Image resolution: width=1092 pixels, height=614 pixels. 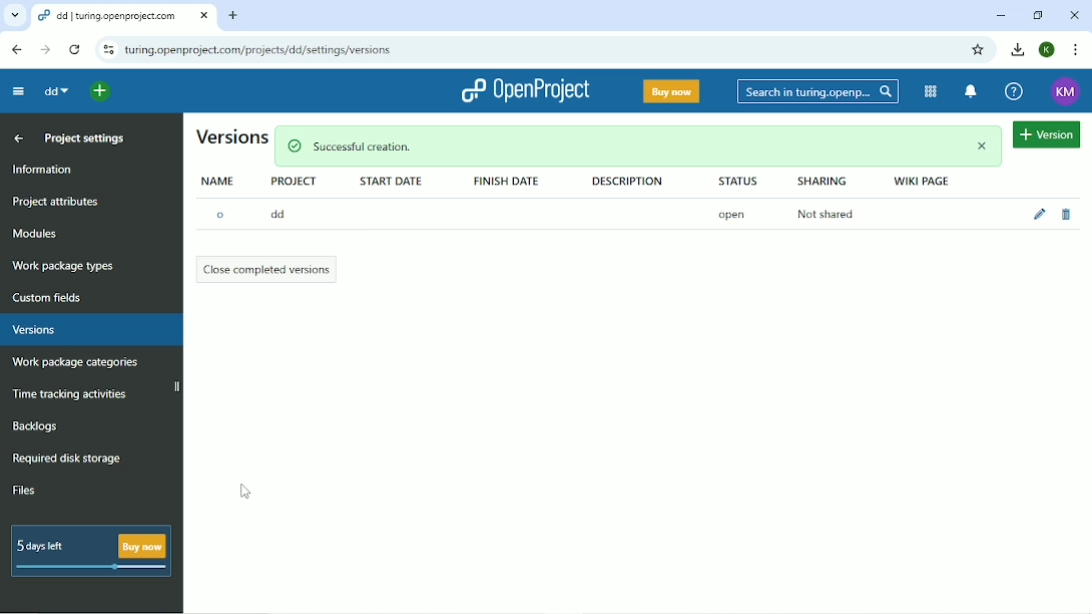 I want to click on Edit, so click(x=1038, y=214).